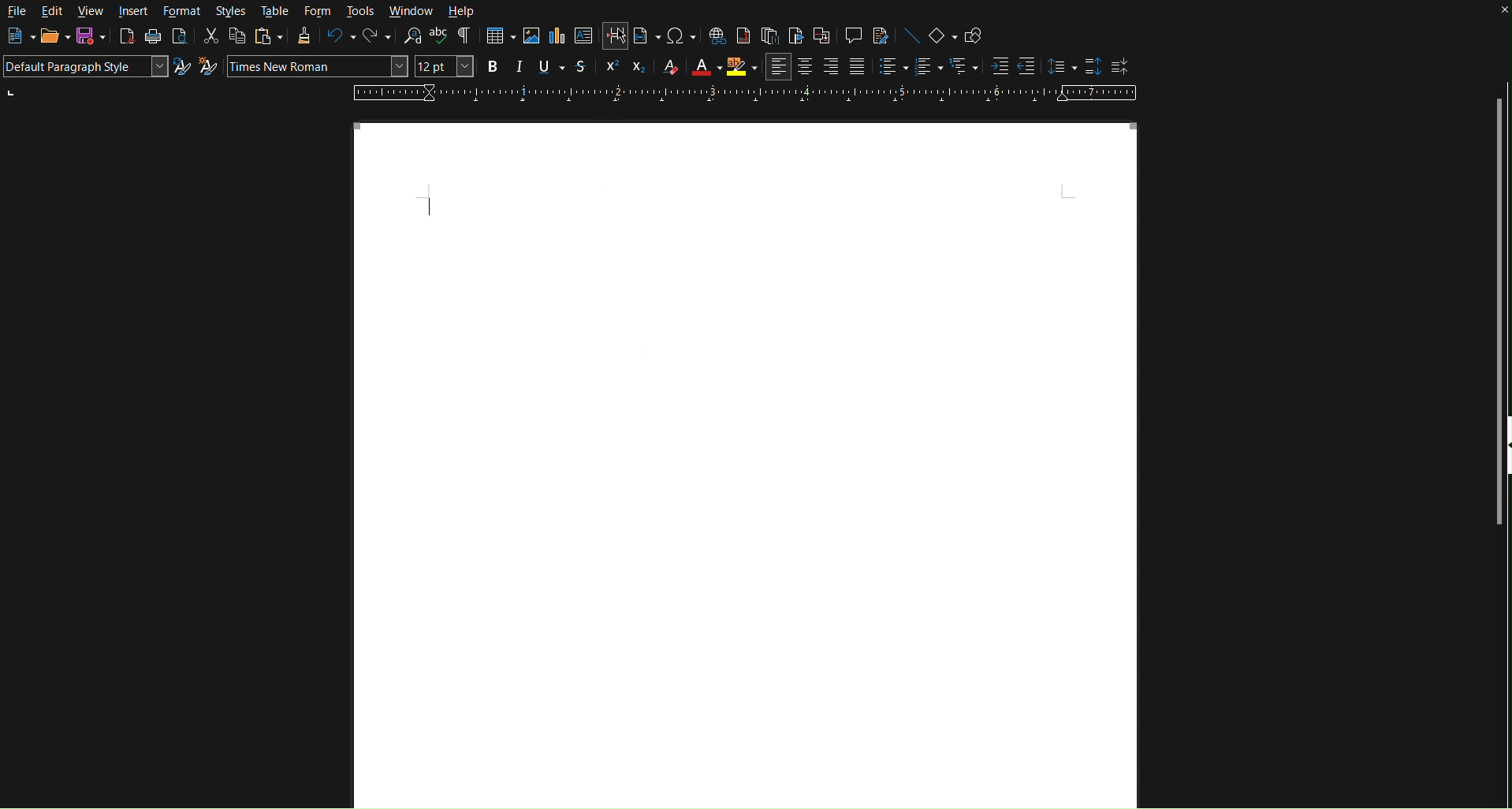 The image size is (1512, 809). I want to click on Check spelling, so click(439, 36).